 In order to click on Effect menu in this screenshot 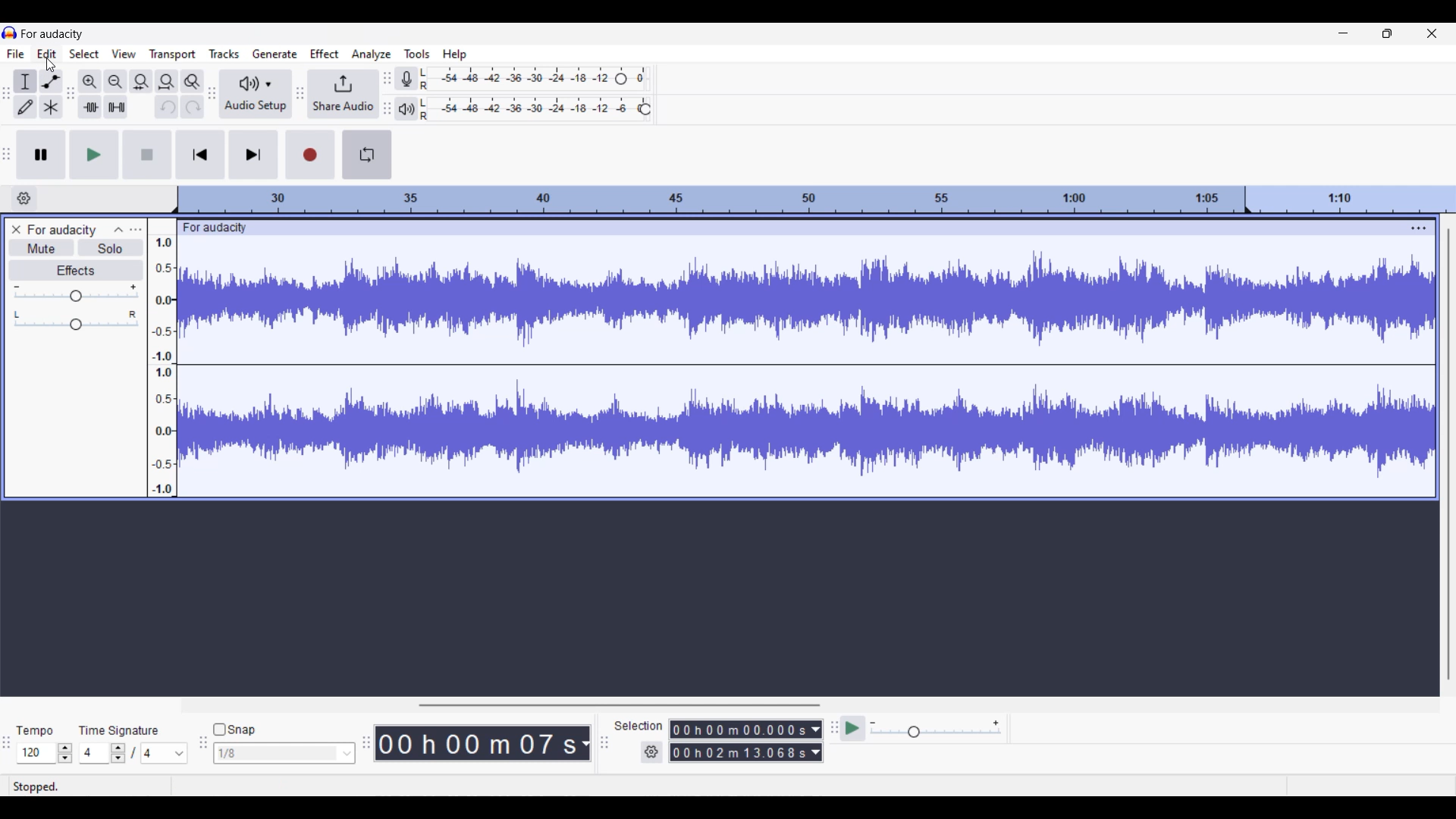, I will do `click(325, 53)`.